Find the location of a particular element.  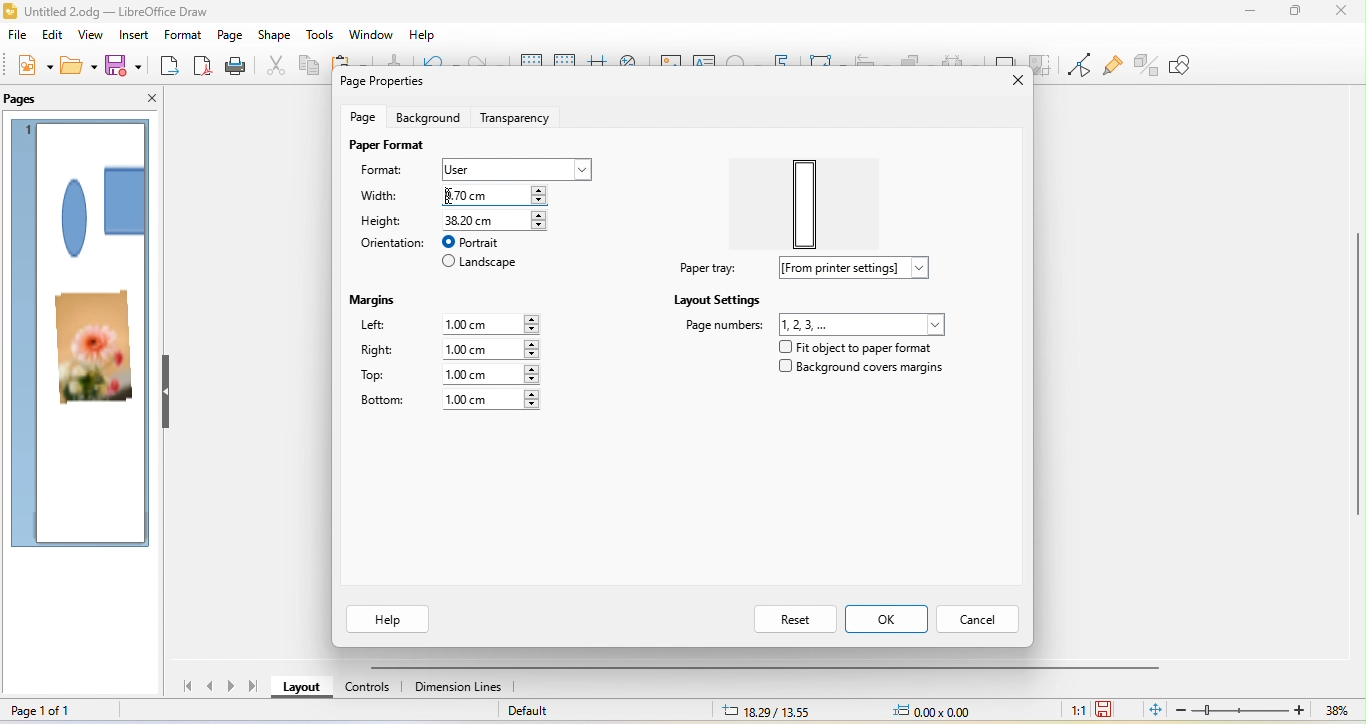

toggle extrusion is located at coordinates (1146, 64).